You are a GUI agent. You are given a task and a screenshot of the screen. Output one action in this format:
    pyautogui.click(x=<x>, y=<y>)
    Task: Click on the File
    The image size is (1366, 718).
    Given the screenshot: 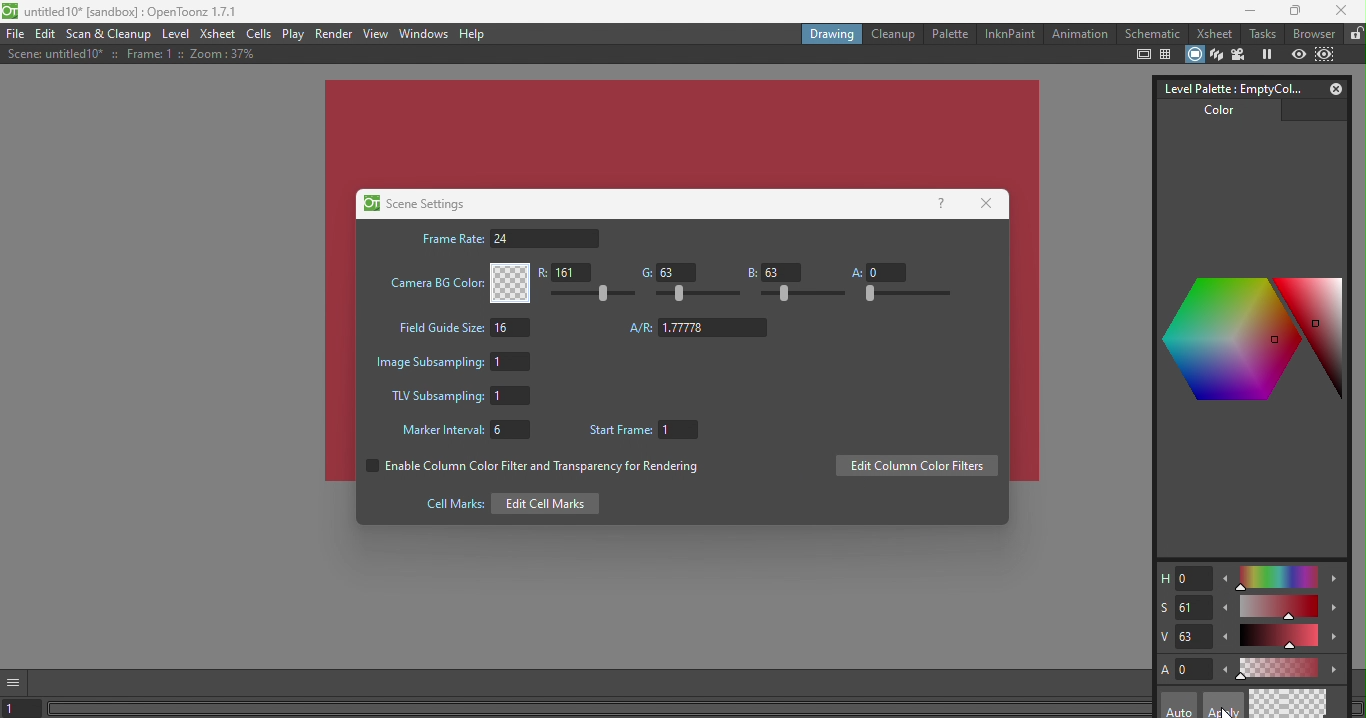 What is the action you would take?
    pyautogui.click(x=15, y=35)
    